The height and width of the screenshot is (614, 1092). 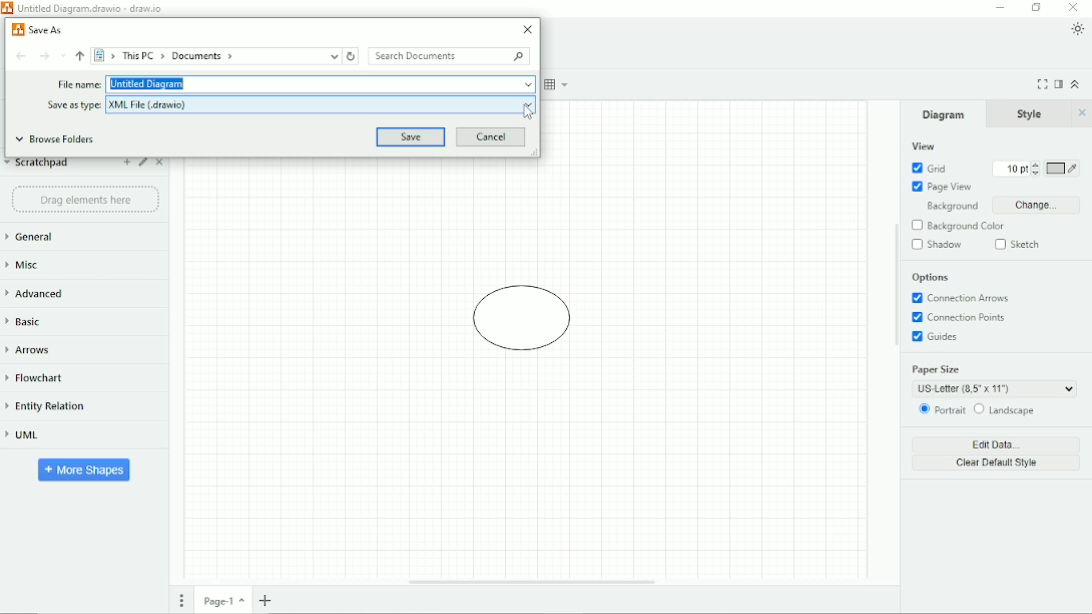 I want to click on Options, so click(x=931, y=278).